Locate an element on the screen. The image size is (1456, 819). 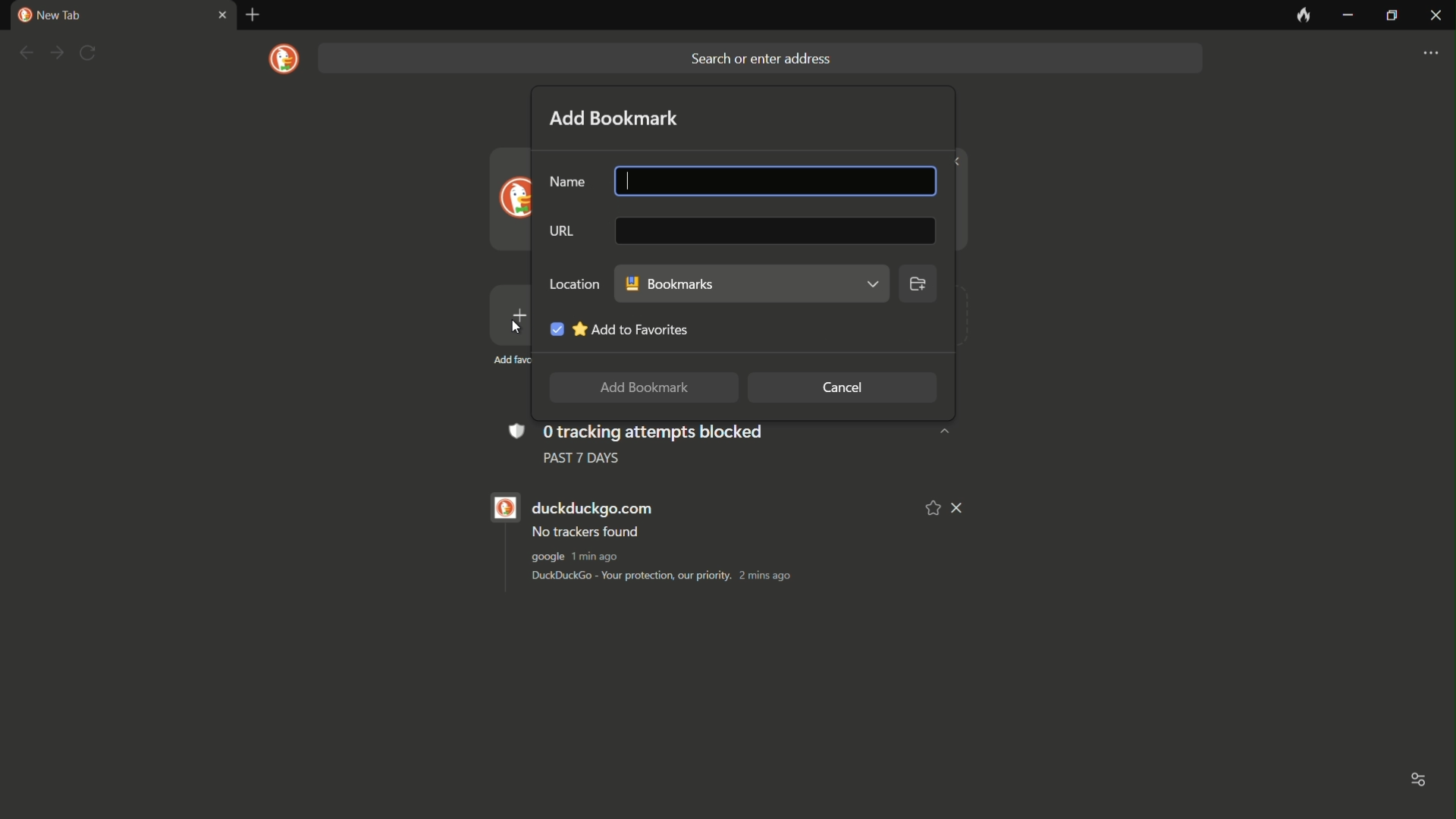
refresh is located at coordinates (88, 53).